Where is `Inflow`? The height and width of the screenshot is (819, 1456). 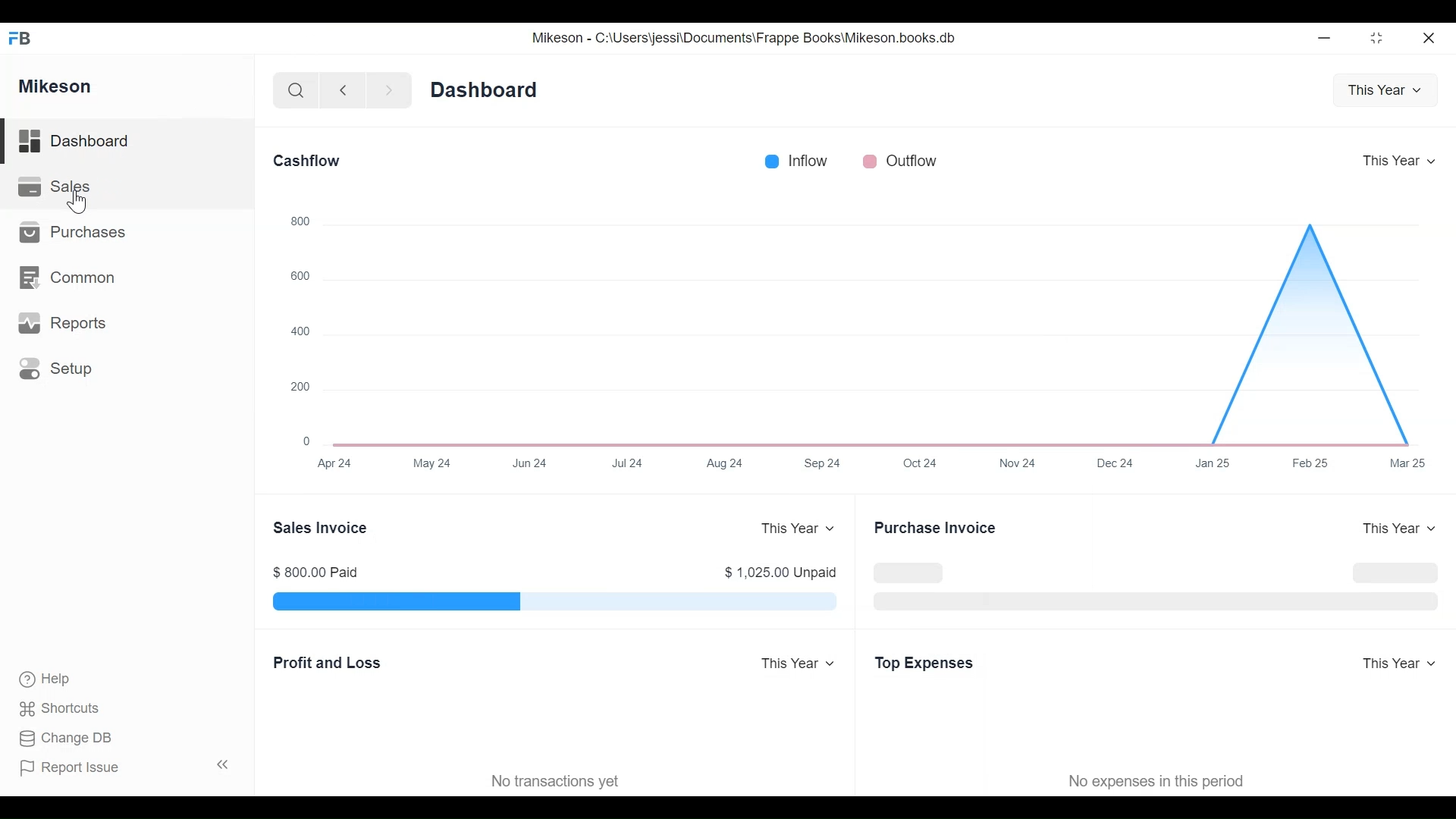 Inflow is located at coordinates (795, 159).